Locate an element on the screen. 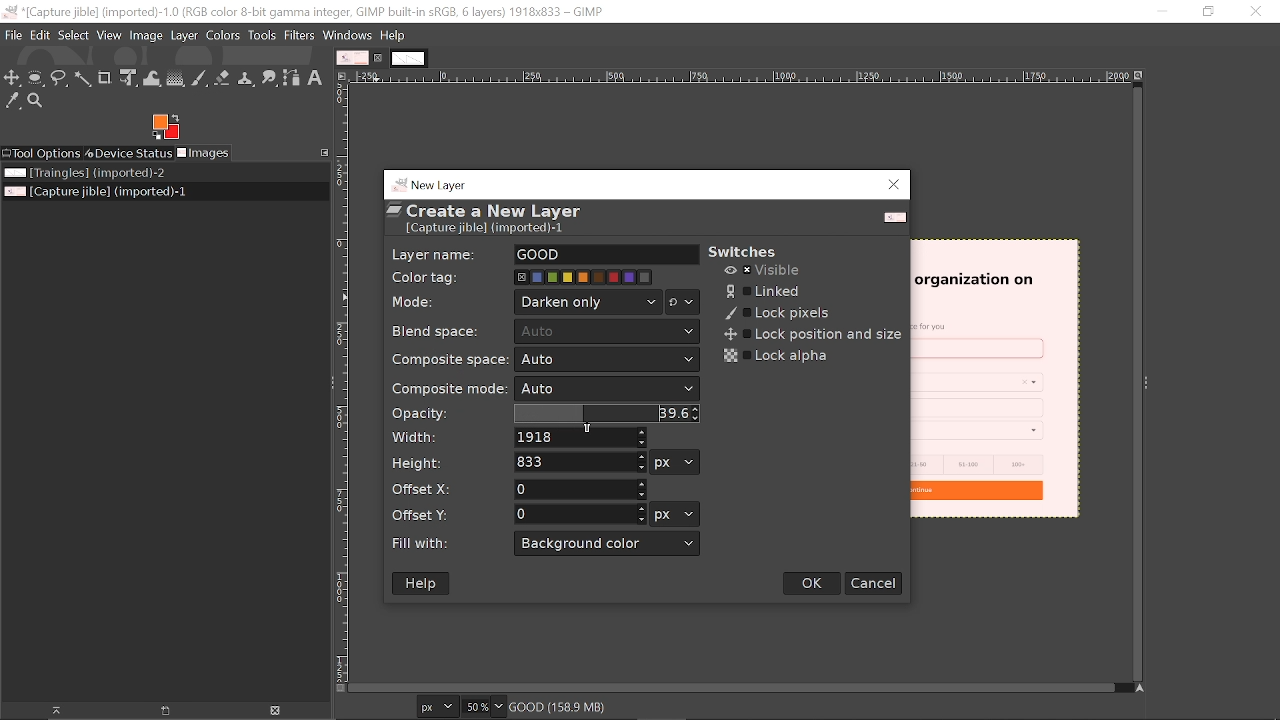 This screenshot has height=720, width=1280. Foreground color is located at coordinates (165, 127).